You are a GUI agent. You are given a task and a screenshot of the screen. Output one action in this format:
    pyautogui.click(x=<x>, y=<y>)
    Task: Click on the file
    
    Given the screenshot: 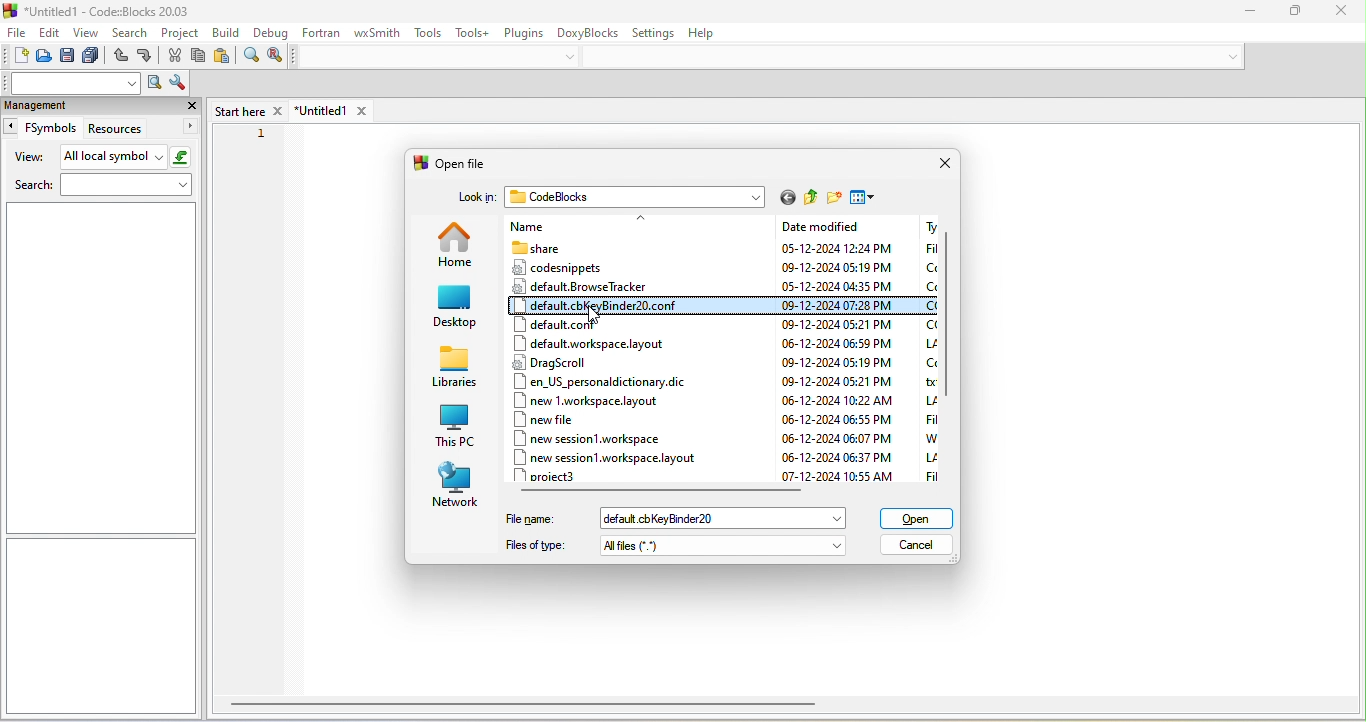 What is the action you would take?
    pyautogui.click(x=17, y=31)
    